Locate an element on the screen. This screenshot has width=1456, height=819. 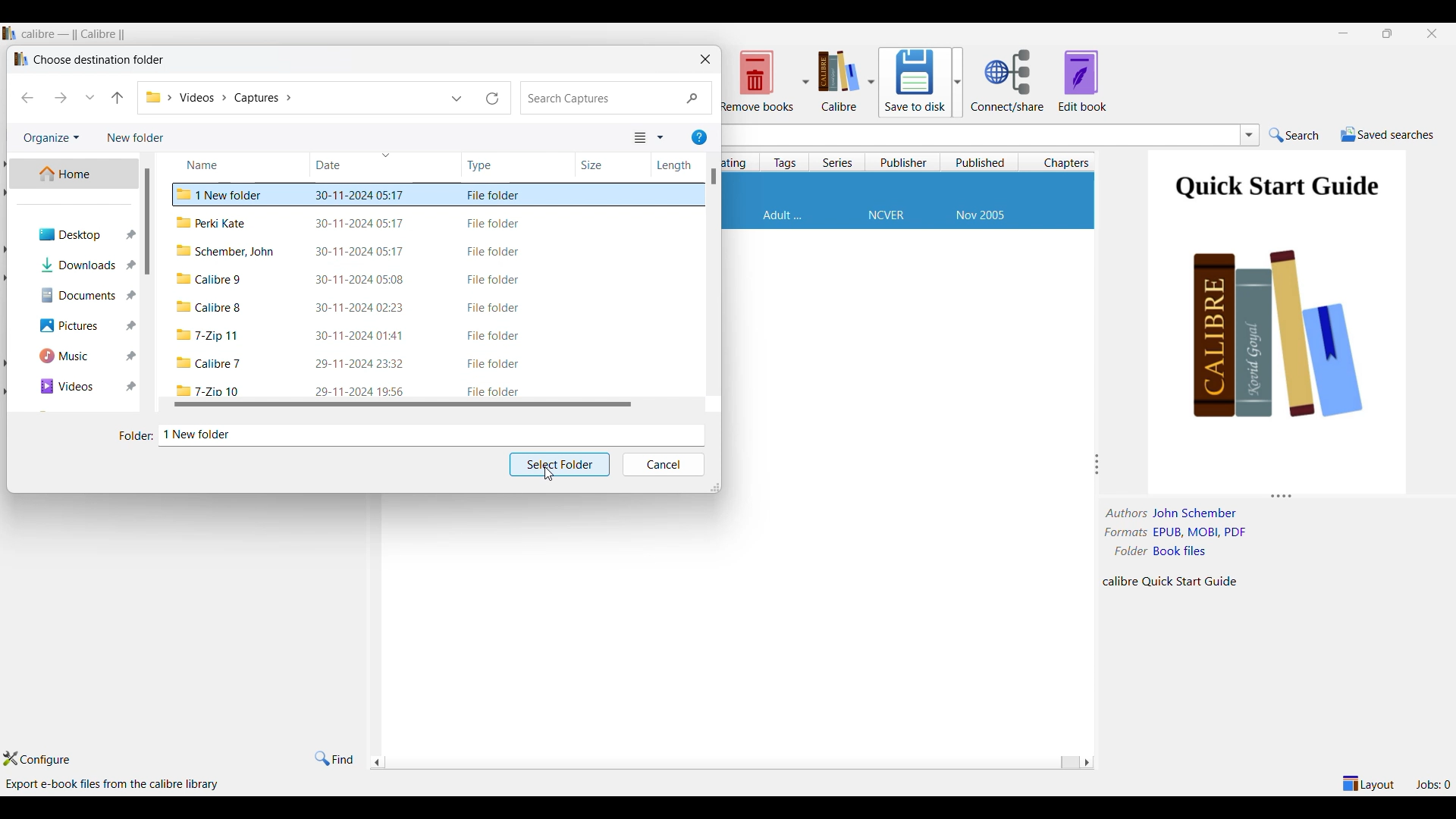
folder is located at coordinates (209, 389).